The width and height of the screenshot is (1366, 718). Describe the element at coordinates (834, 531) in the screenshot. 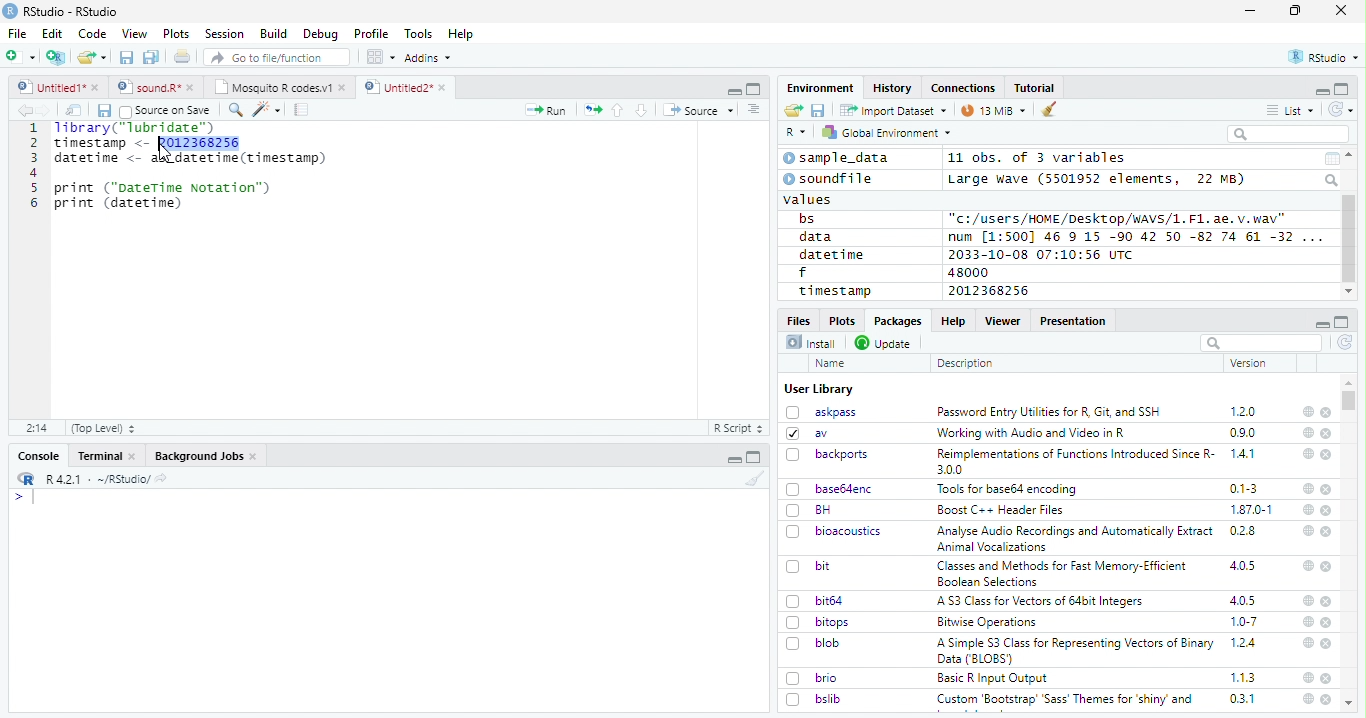

I see `bioacoustics` at that location.